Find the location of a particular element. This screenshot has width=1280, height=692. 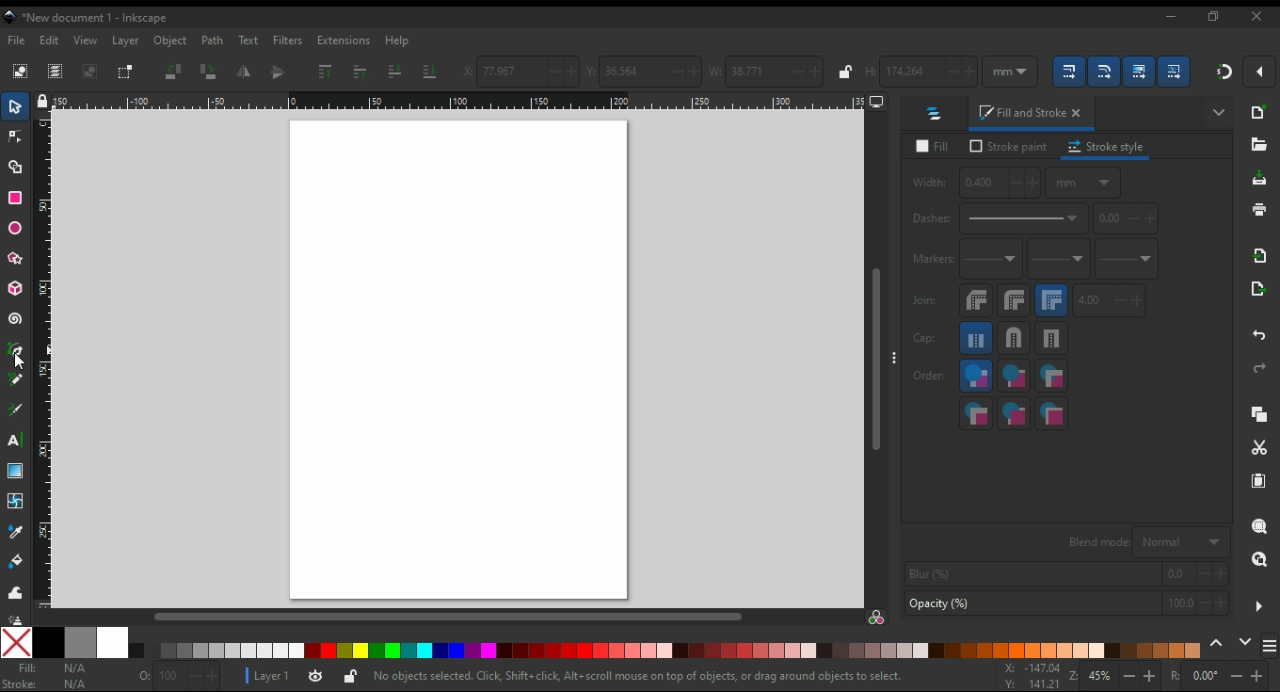

fill and stroke is located at coordinates (1032, 110).